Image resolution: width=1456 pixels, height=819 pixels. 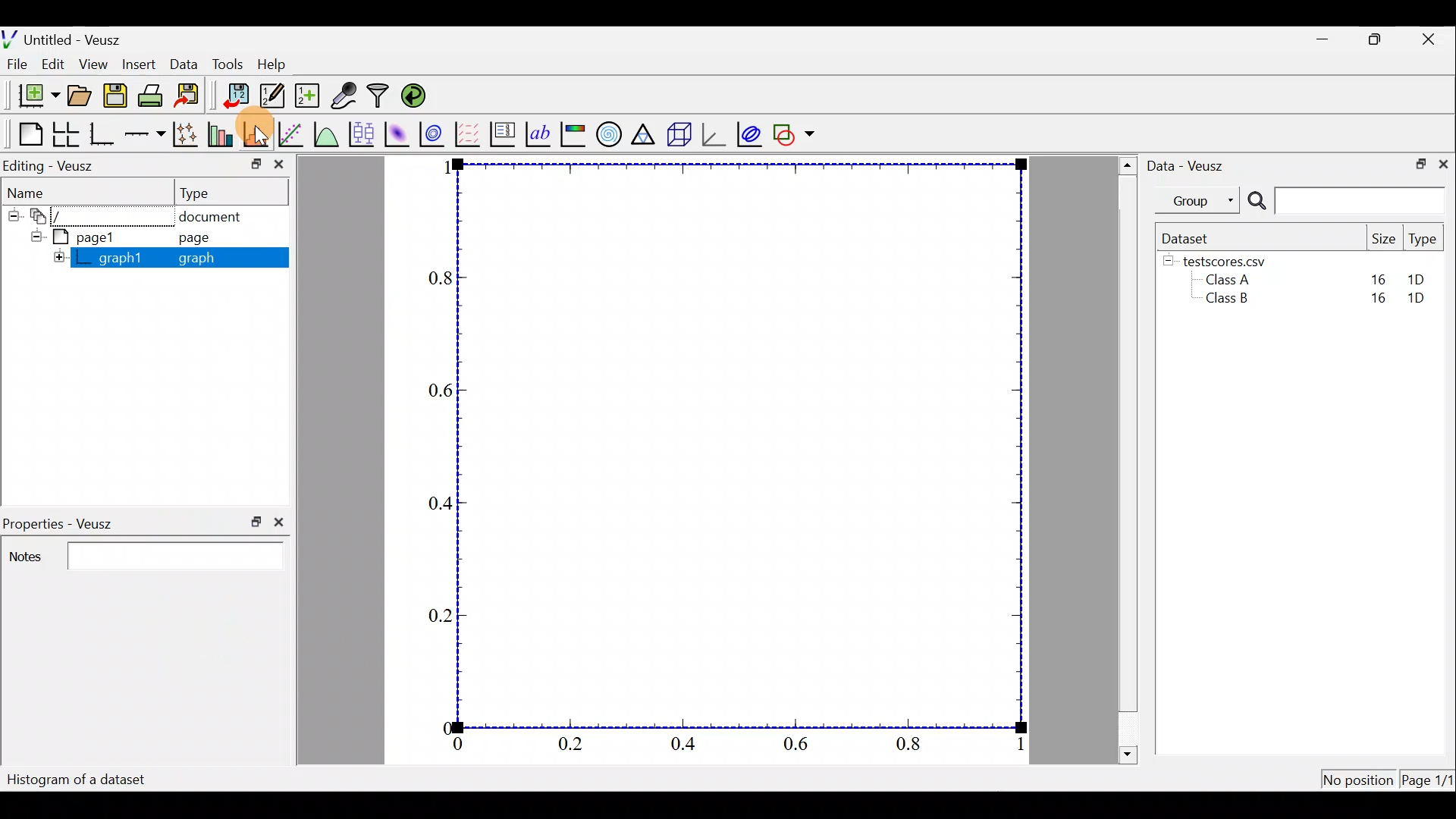 What do you see at coordinates (434, 134) in the screenshot?
I see `Plot a 2d dataset as contours` at bounding box center [434, 134].